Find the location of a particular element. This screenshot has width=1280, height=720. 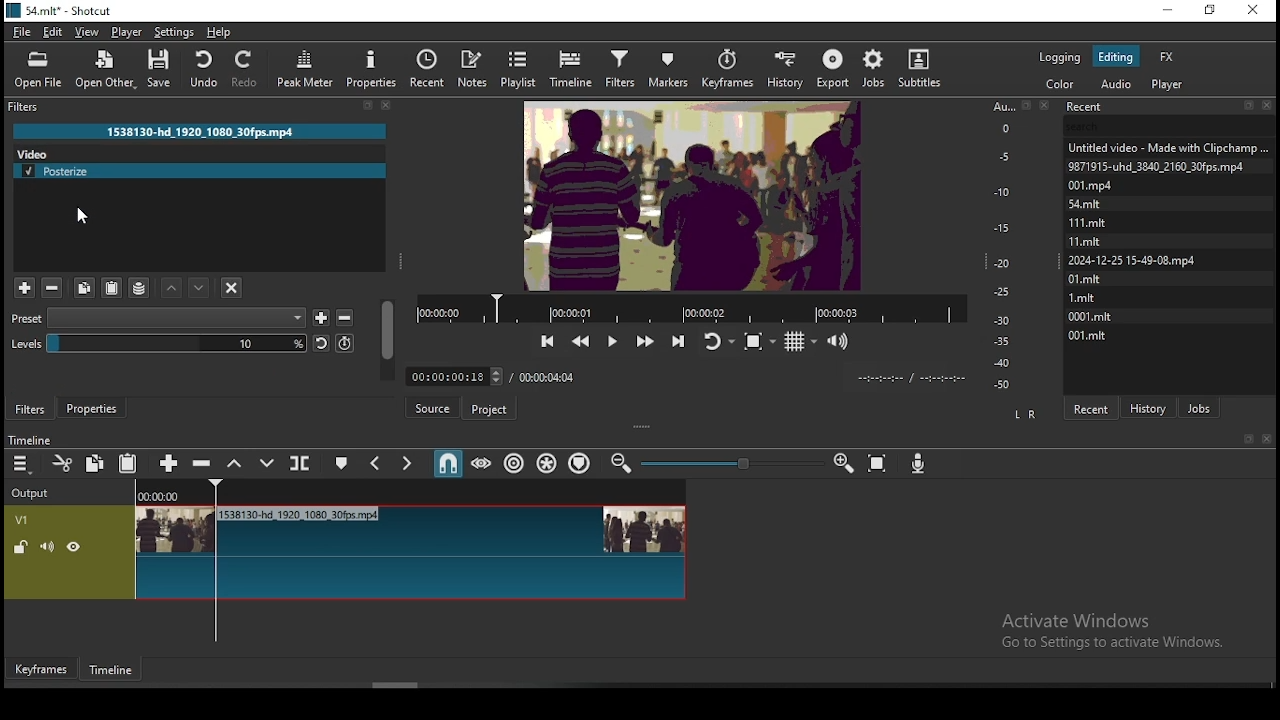

L R is located at coordinates (1025, 414).